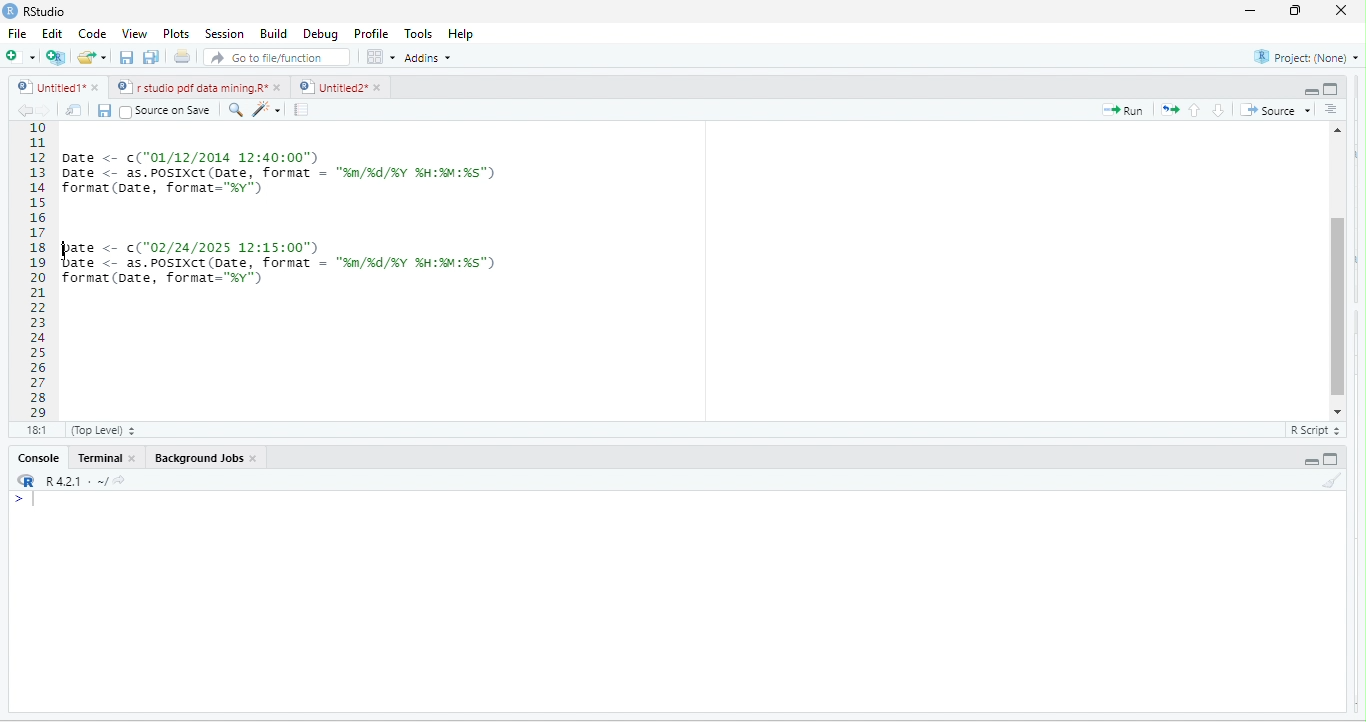  I want to click on show in new window, so click(76, 110).